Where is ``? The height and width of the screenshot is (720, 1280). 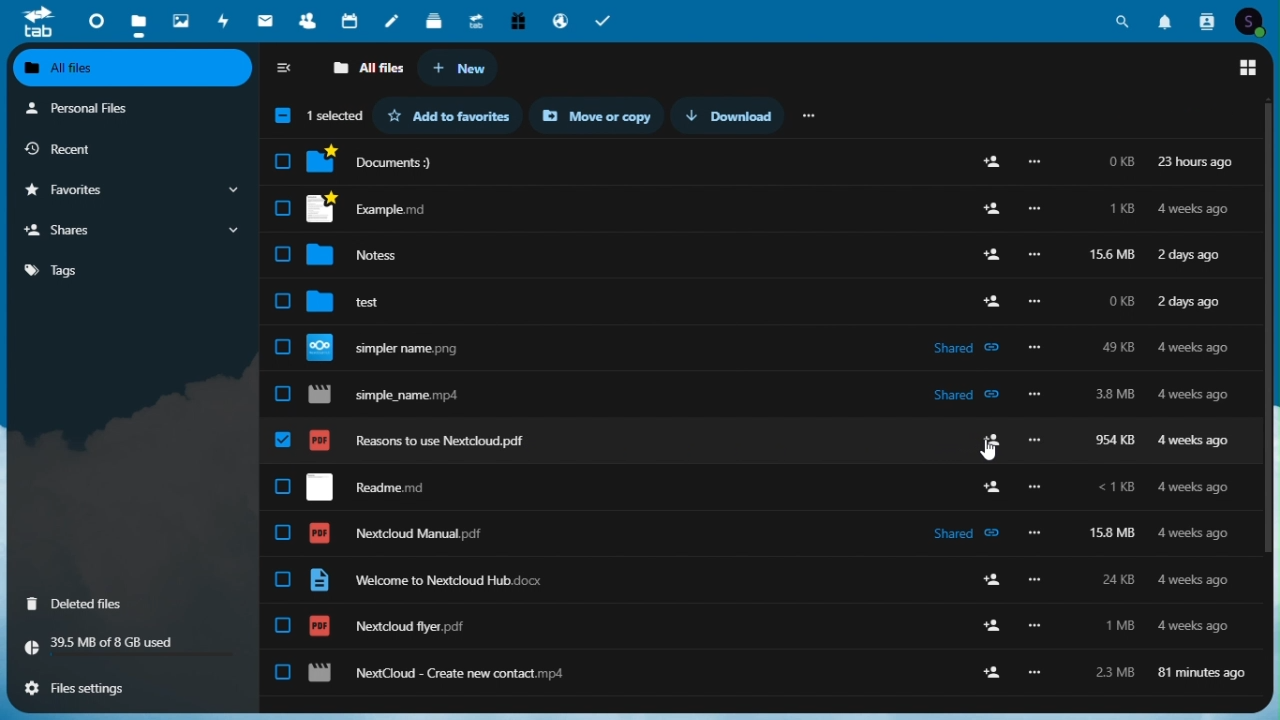  is located at coordinates (1032, 396).